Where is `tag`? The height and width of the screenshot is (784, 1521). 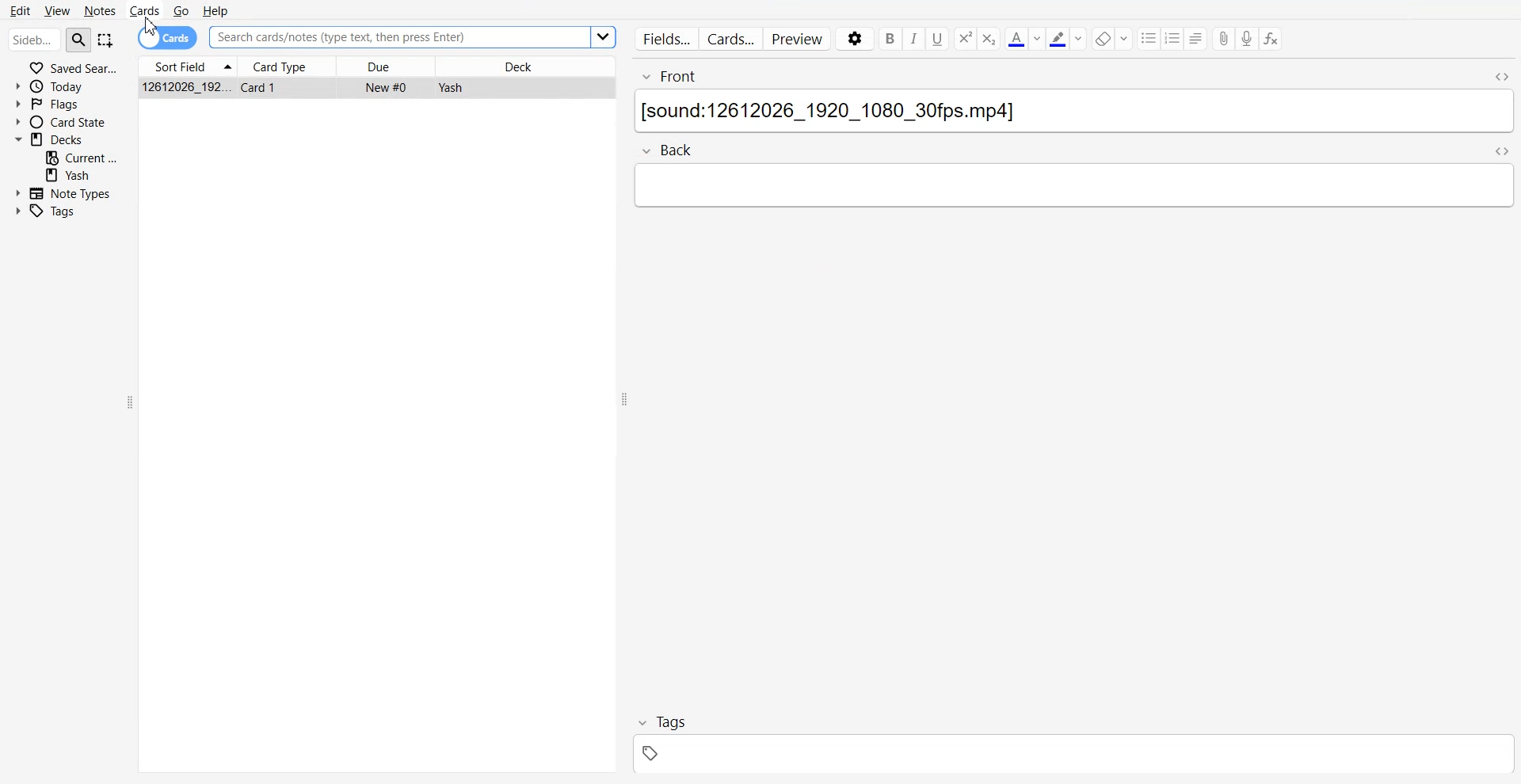 tag is located at coordinates (1068, 756).